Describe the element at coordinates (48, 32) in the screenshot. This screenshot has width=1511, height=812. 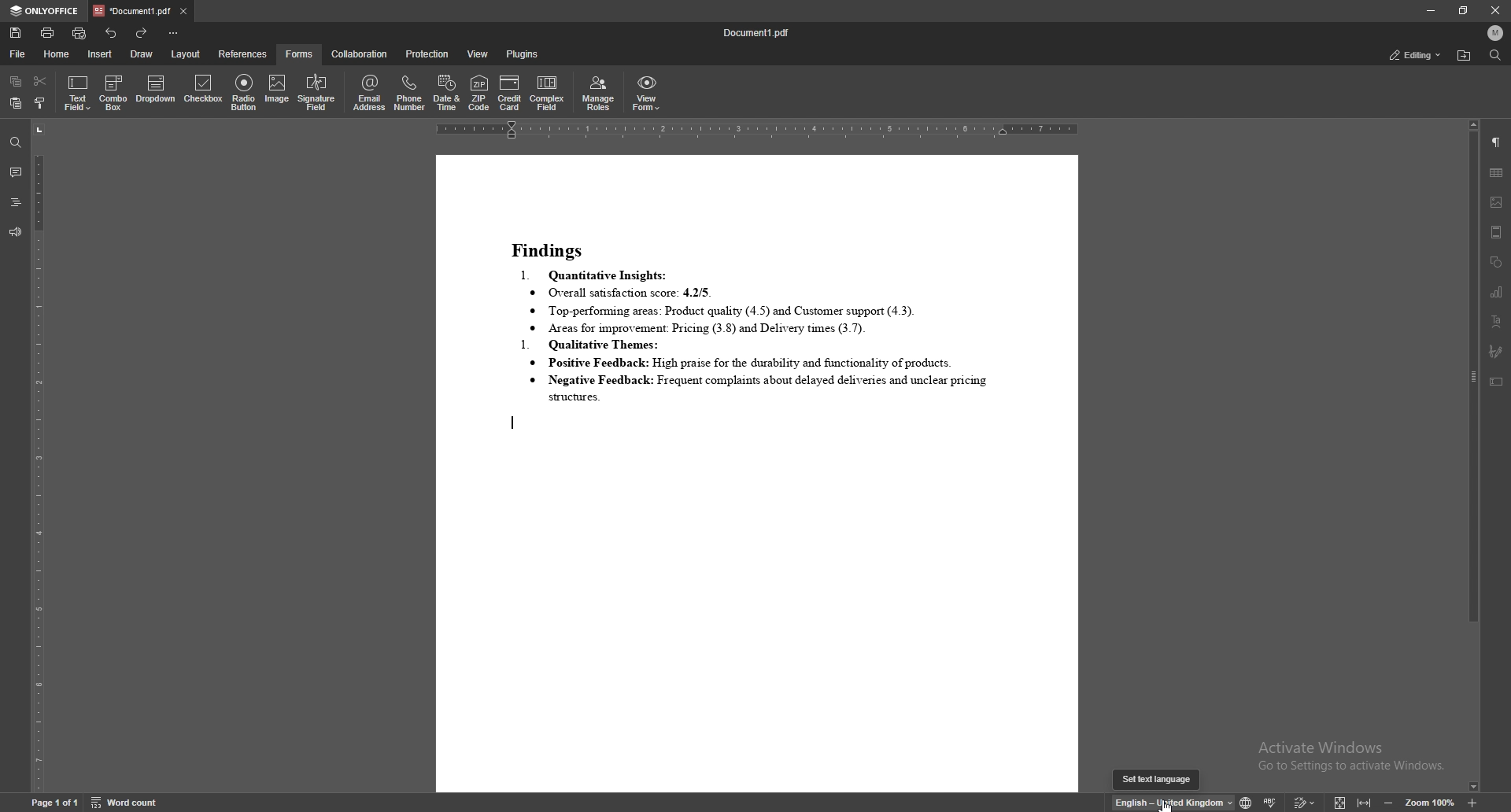
I see `print` at that location.